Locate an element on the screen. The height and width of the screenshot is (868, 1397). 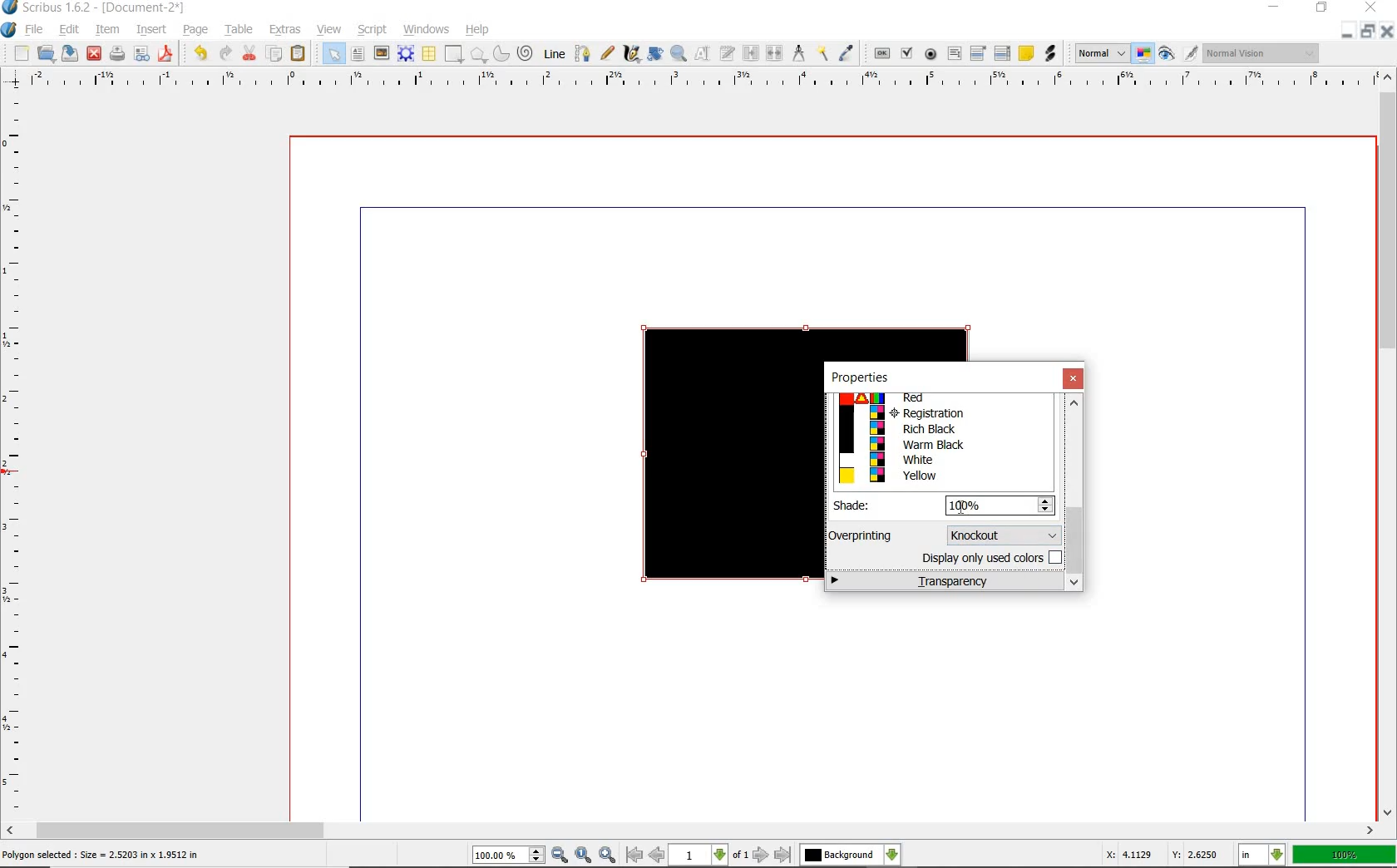
select current page is located at coordinates (708, 856).